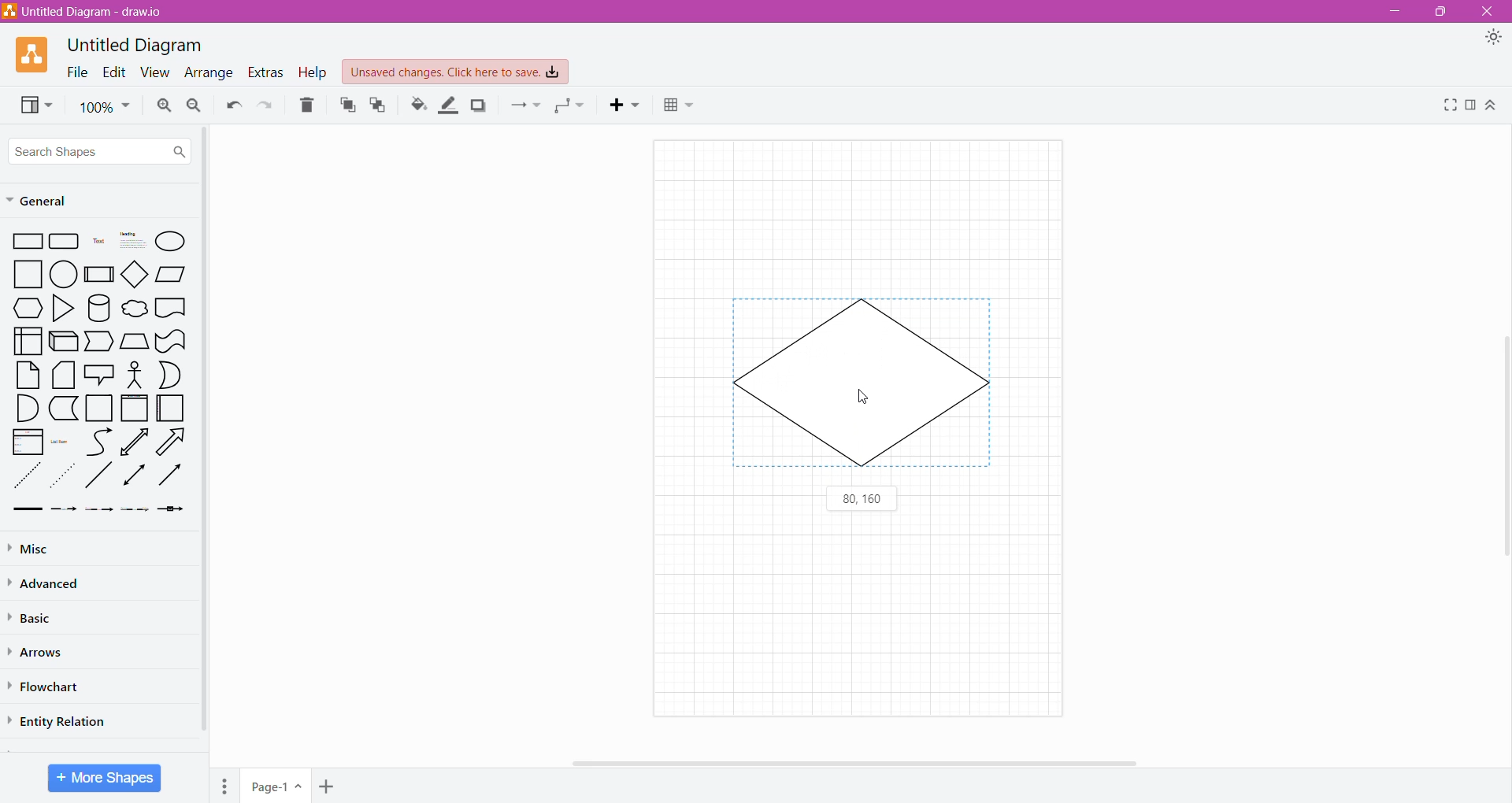  I want to click on Rectangle, so click(28, 242).